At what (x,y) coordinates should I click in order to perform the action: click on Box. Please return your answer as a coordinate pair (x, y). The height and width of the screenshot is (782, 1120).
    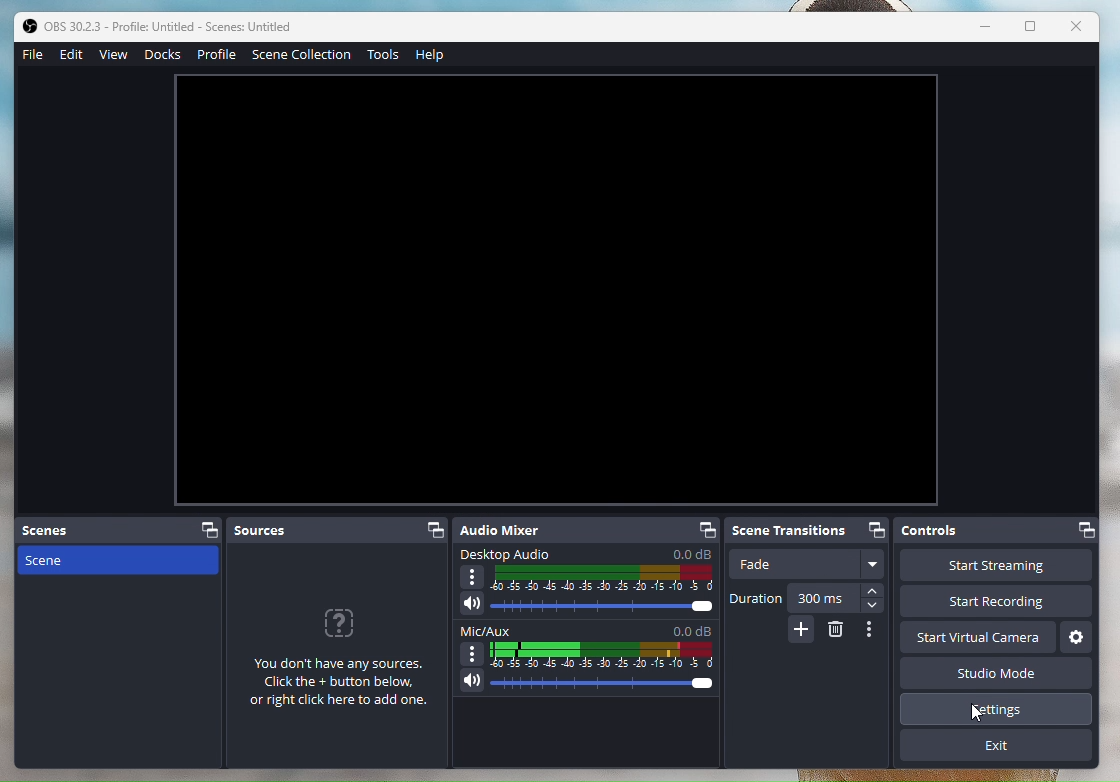
    Looking at the image, I should click on (1029, 26).